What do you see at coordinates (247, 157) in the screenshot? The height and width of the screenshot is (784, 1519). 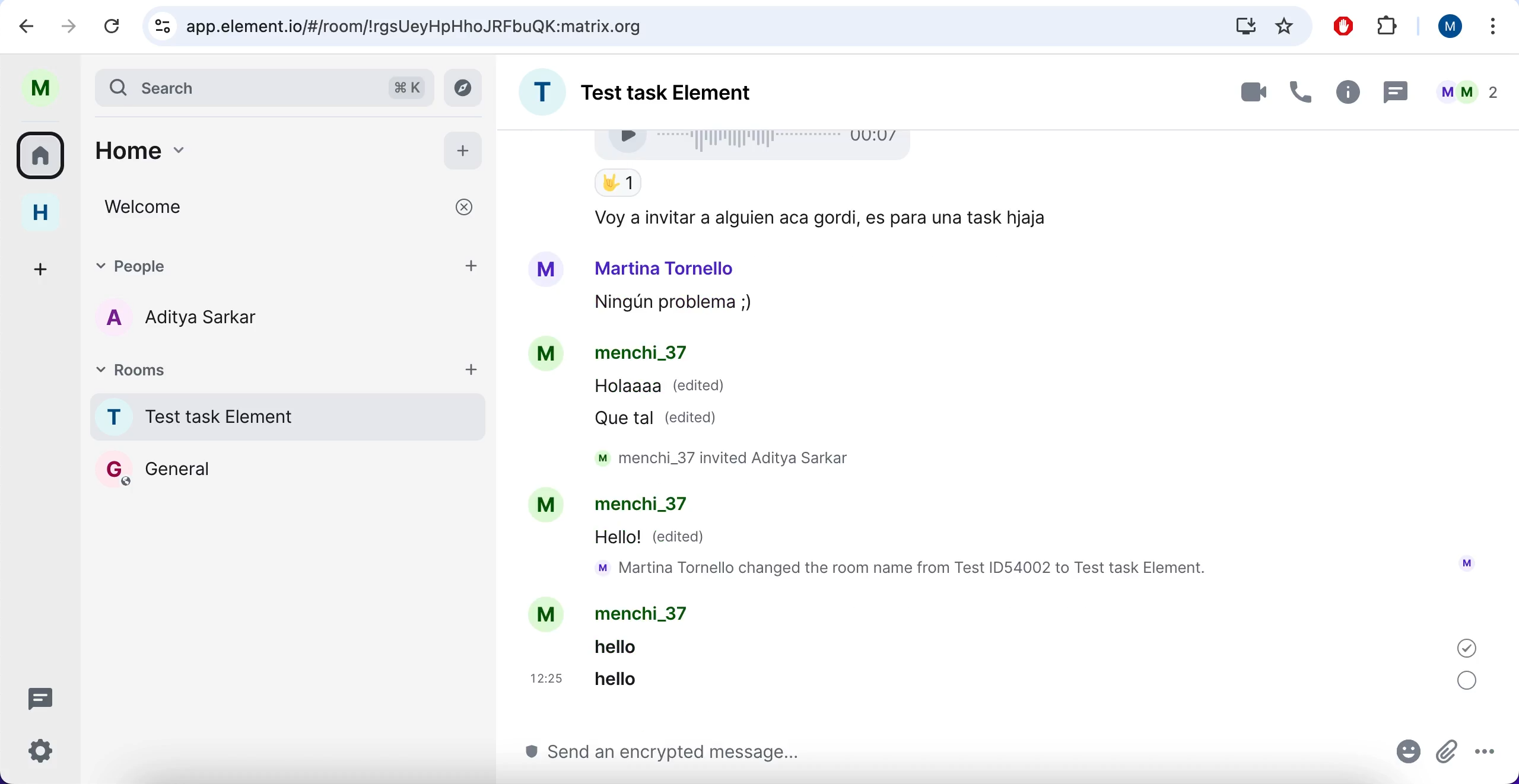 I see `home` at bounding box center [247, 157].